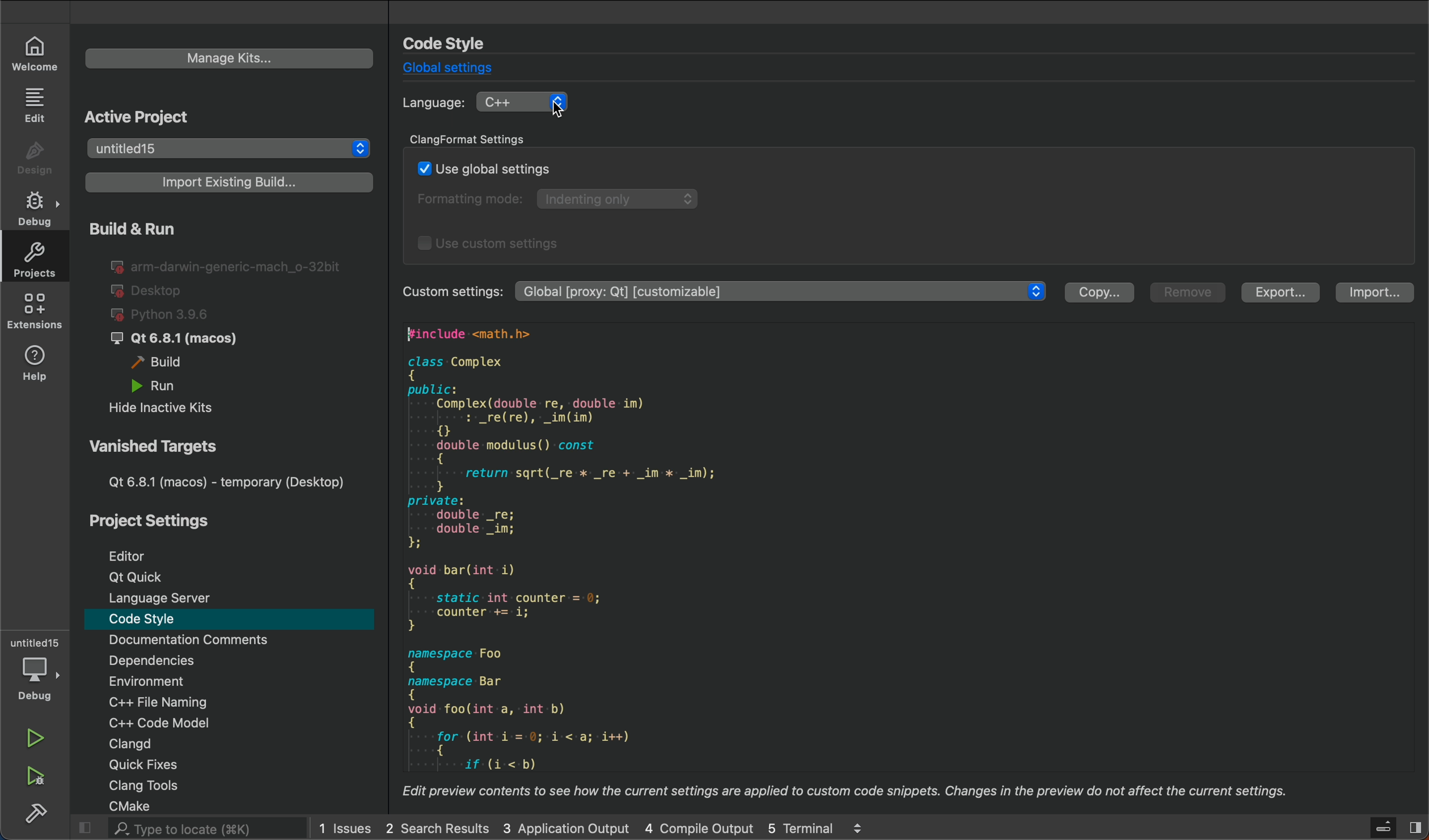 The width and height of the screenshot is (1429, 840). What do you see at coordinates (158, 786) in the screenshot?
I see `tools` at bounding box center [158, 786].